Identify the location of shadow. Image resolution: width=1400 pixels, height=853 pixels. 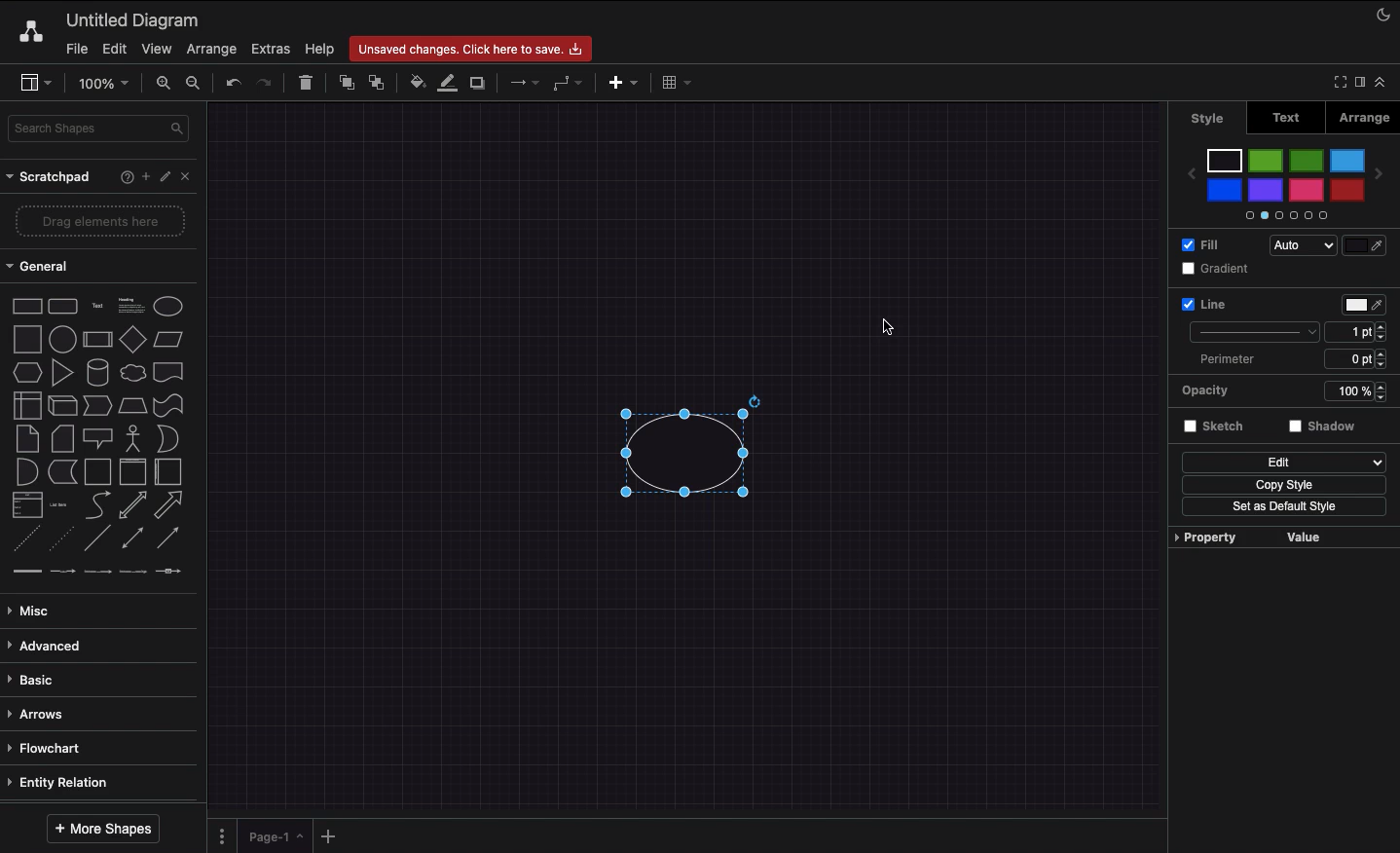
(1324, 425).